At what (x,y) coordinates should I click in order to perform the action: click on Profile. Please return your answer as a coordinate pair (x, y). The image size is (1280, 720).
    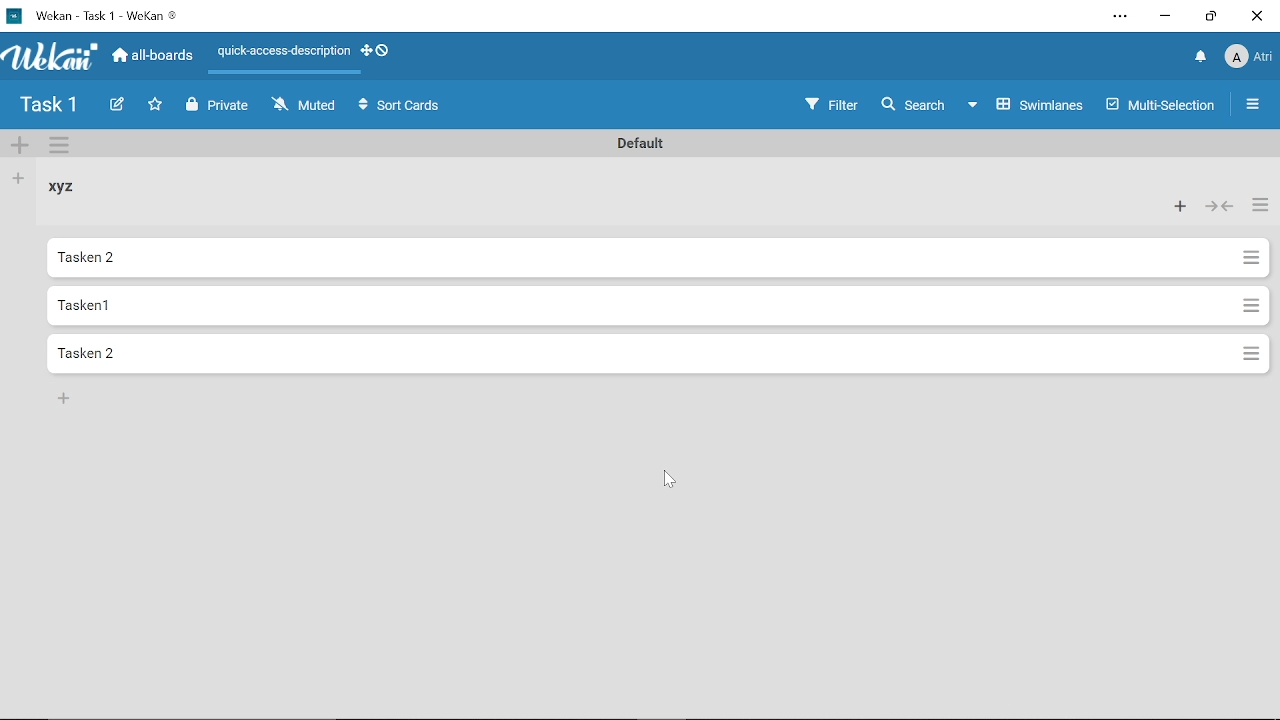
    Looking at the image, I should click on (1248, 57).